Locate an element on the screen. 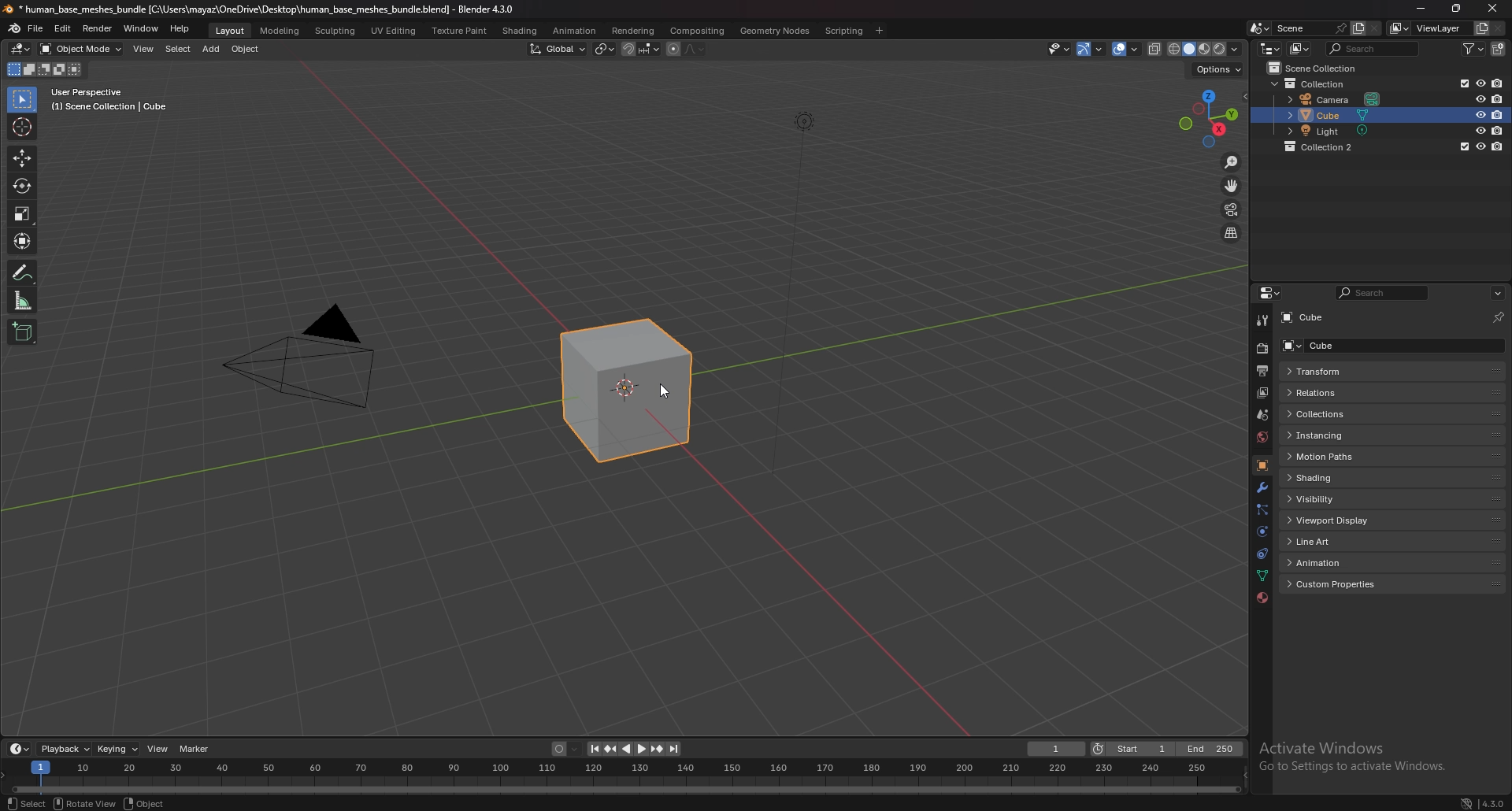 Image resolution: width=1512 pixels, height=811 pixels. tool is located at coordinates (1263, 320).